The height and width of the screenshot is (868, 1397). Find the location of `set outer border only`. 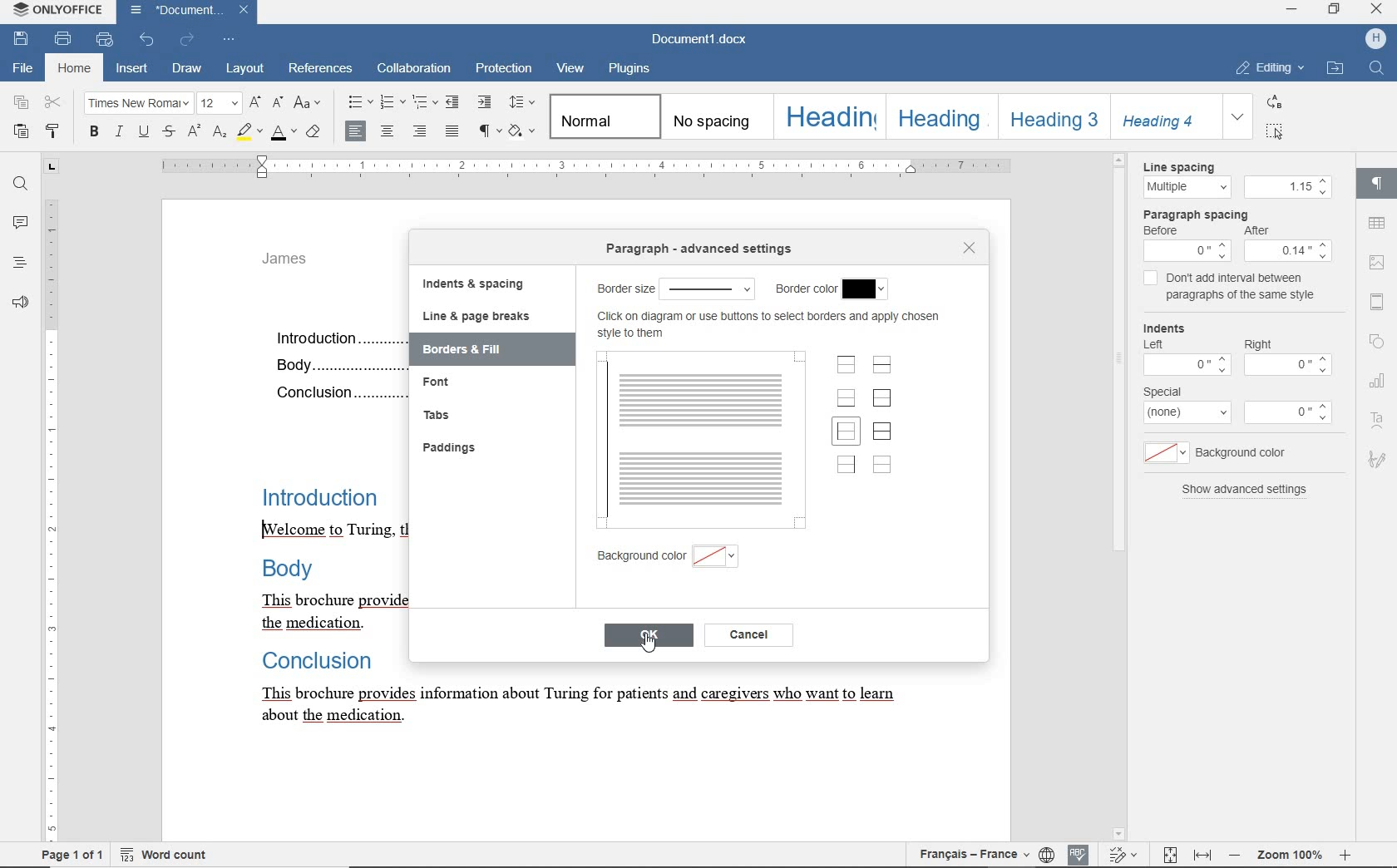

set outer border only is located at coordinates (881, 398).